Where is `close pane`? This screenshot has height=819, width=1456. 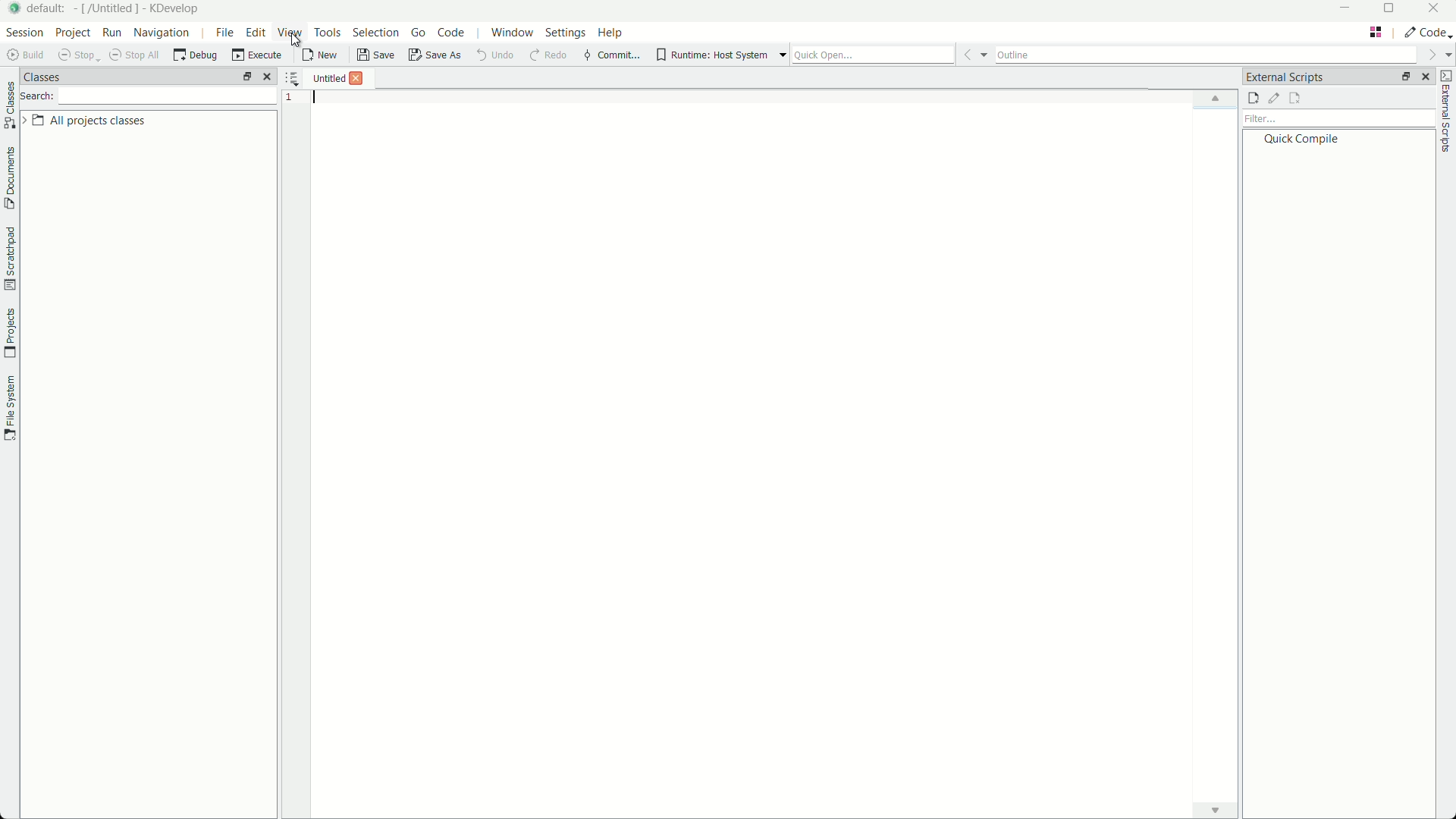
close pane is located at coordinates (1427, 77).